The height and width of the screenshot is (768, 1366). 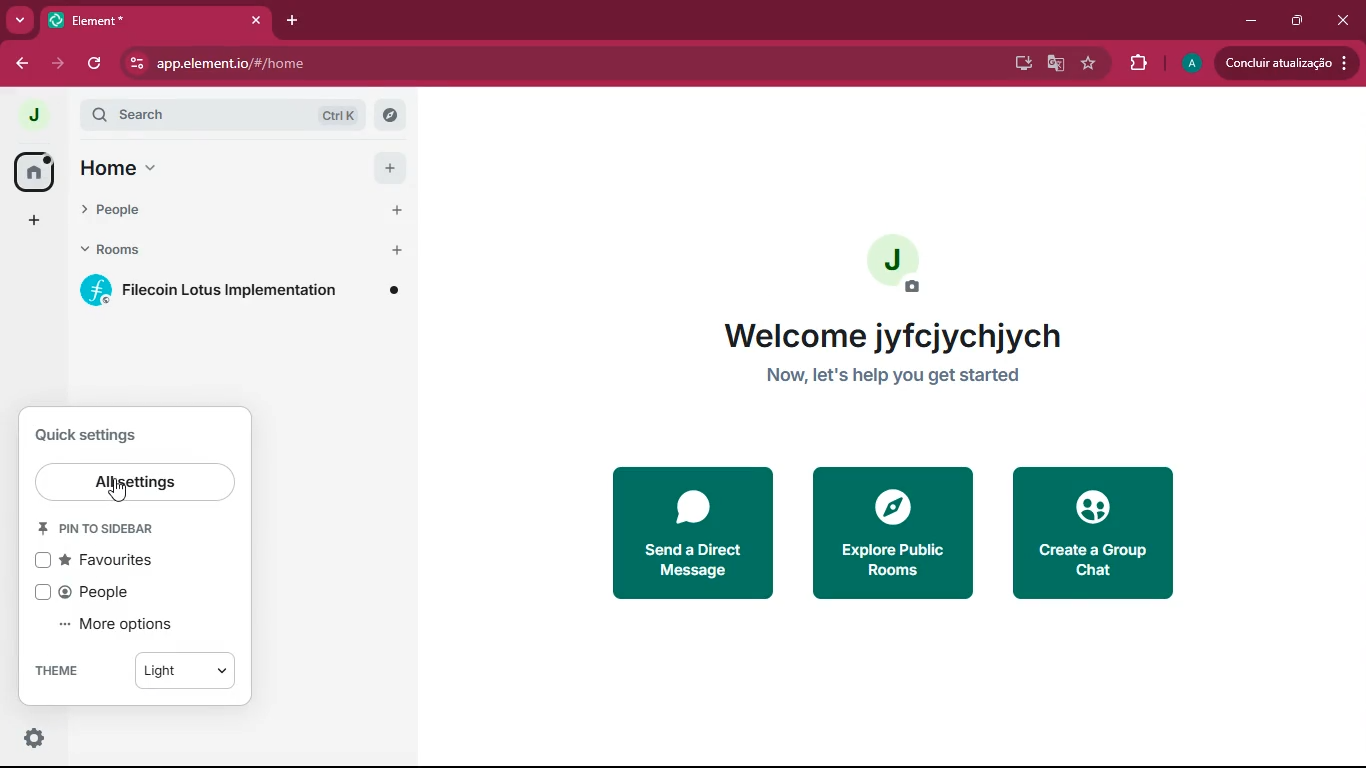 What do you see at coordinates (1134, 64) in the screenshot?
I see `extensions` at bounding box center [1134, 64].